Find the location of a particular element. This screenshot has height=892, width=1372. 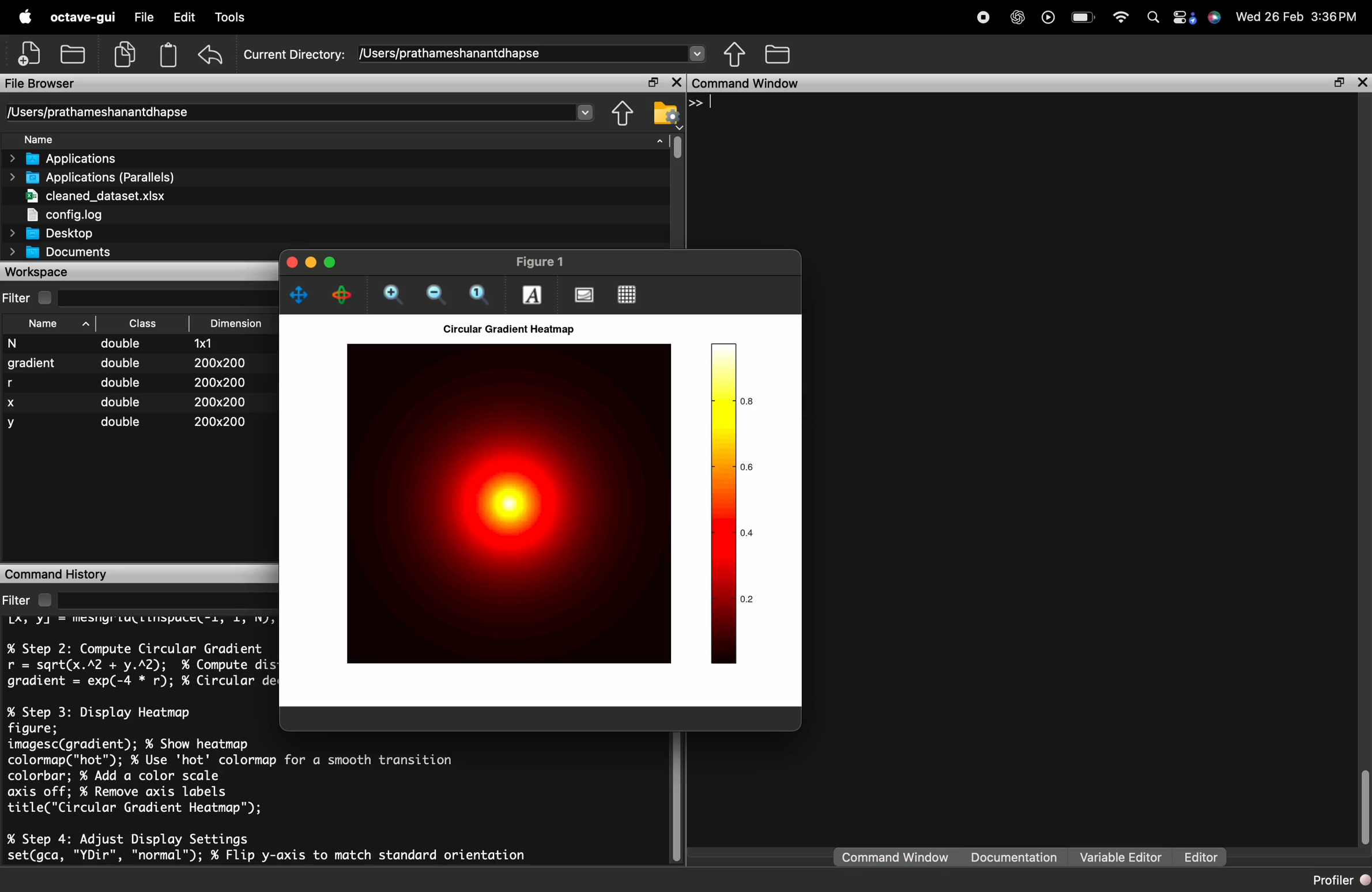

Desktop is located at coordinates (66, 233).